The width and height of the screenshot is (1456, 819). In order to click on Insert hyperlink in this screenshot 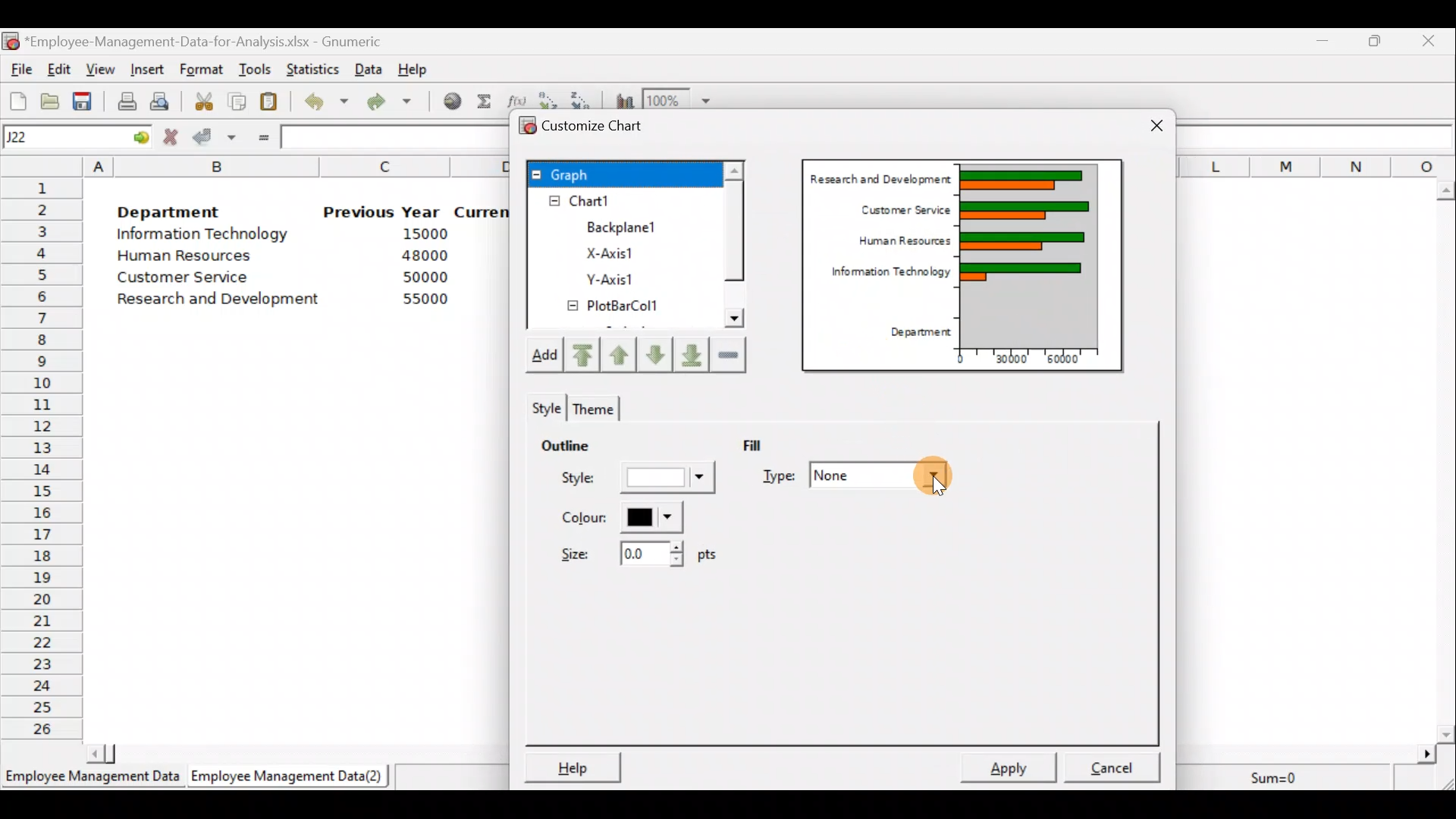, I will do `click(450, 104)`.